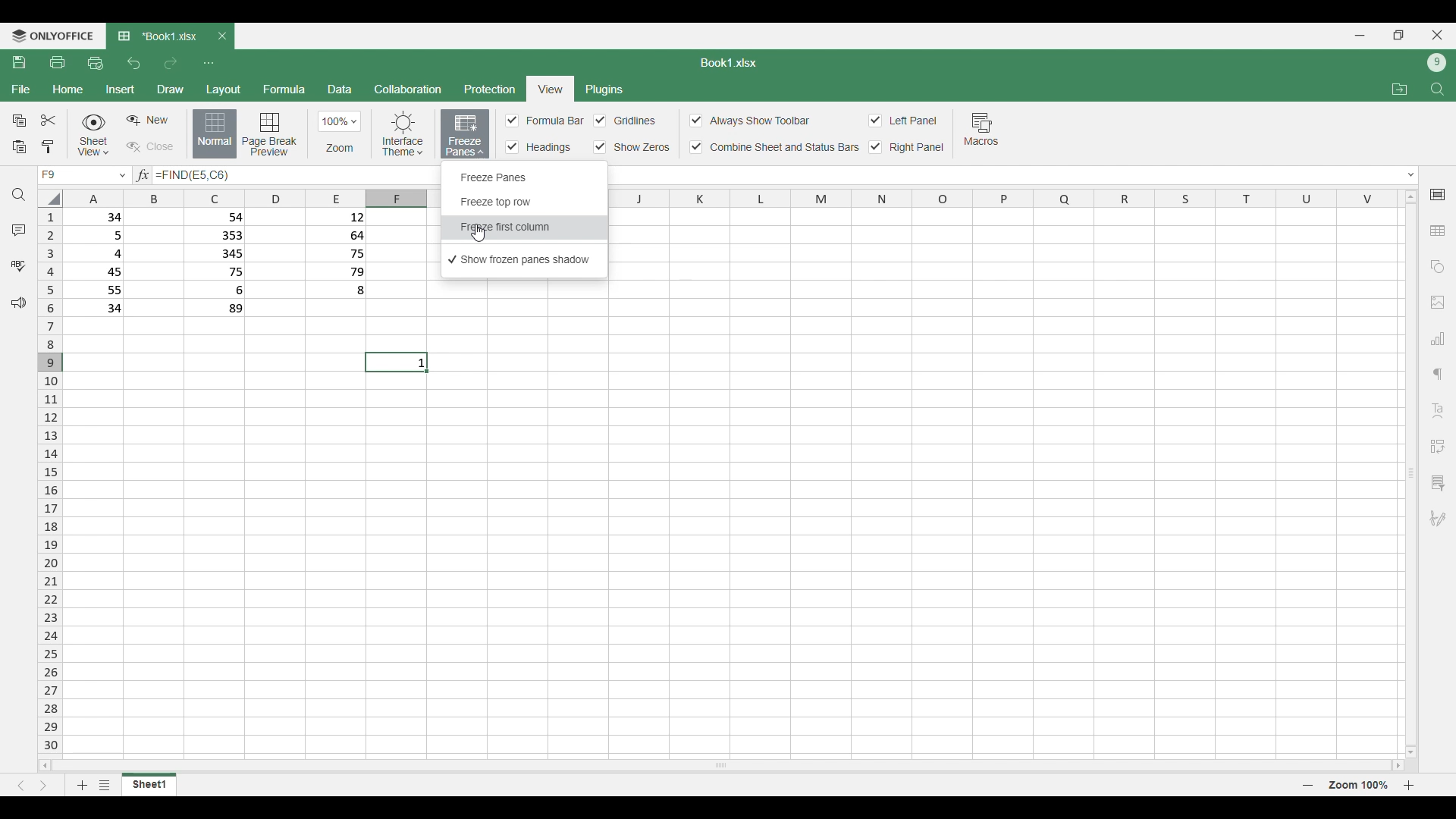 This screenshot has width=1456, height=819. What do you see at coordinates (905, 147) in the screenshot?
I see `Right panel toggle` at bounding box center [905, 147].